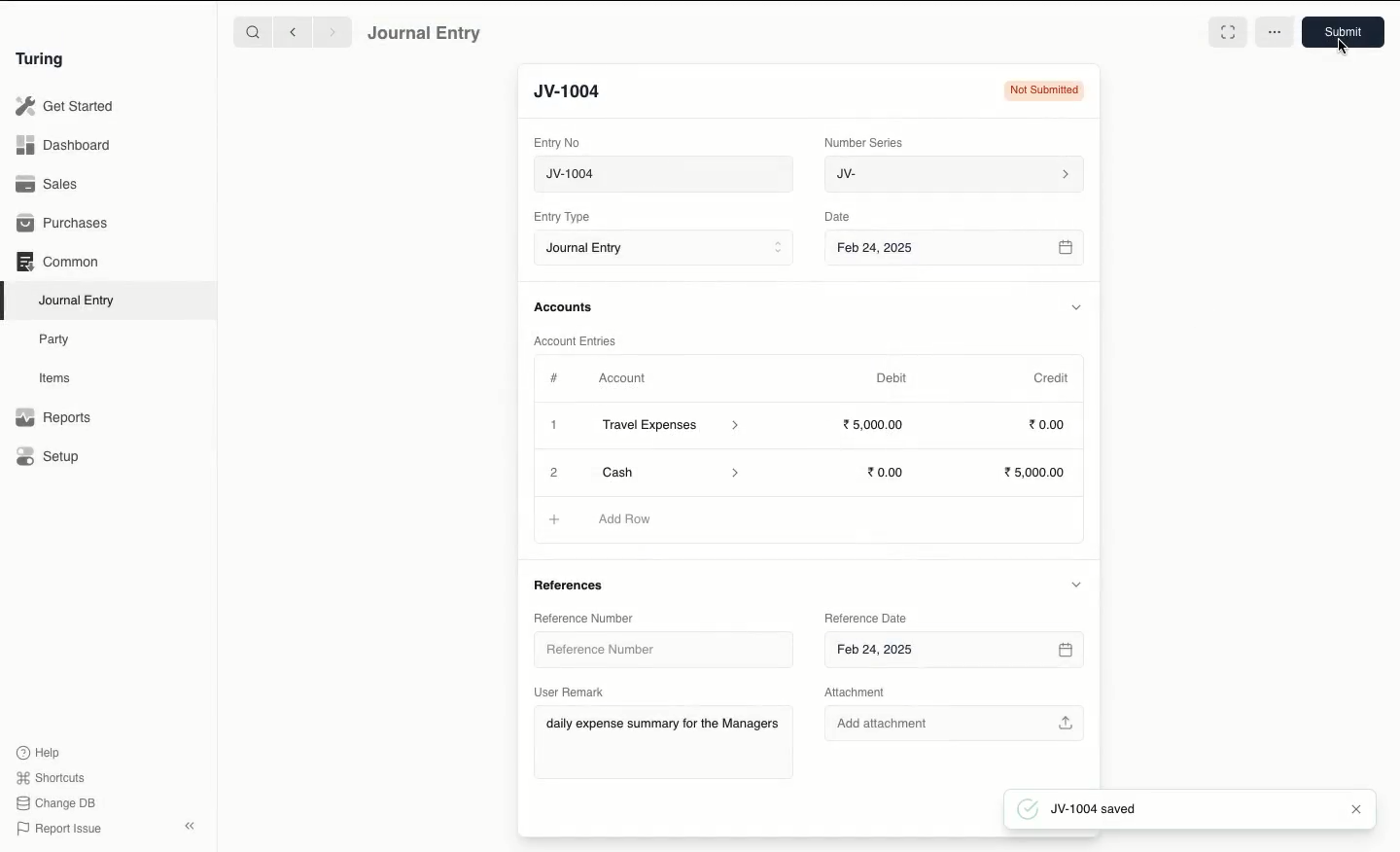 The height and width of the screenshot is (852, 1400). Describe the element at coordinates (1346, 32) in the screenshot. I see `Save` at that location.